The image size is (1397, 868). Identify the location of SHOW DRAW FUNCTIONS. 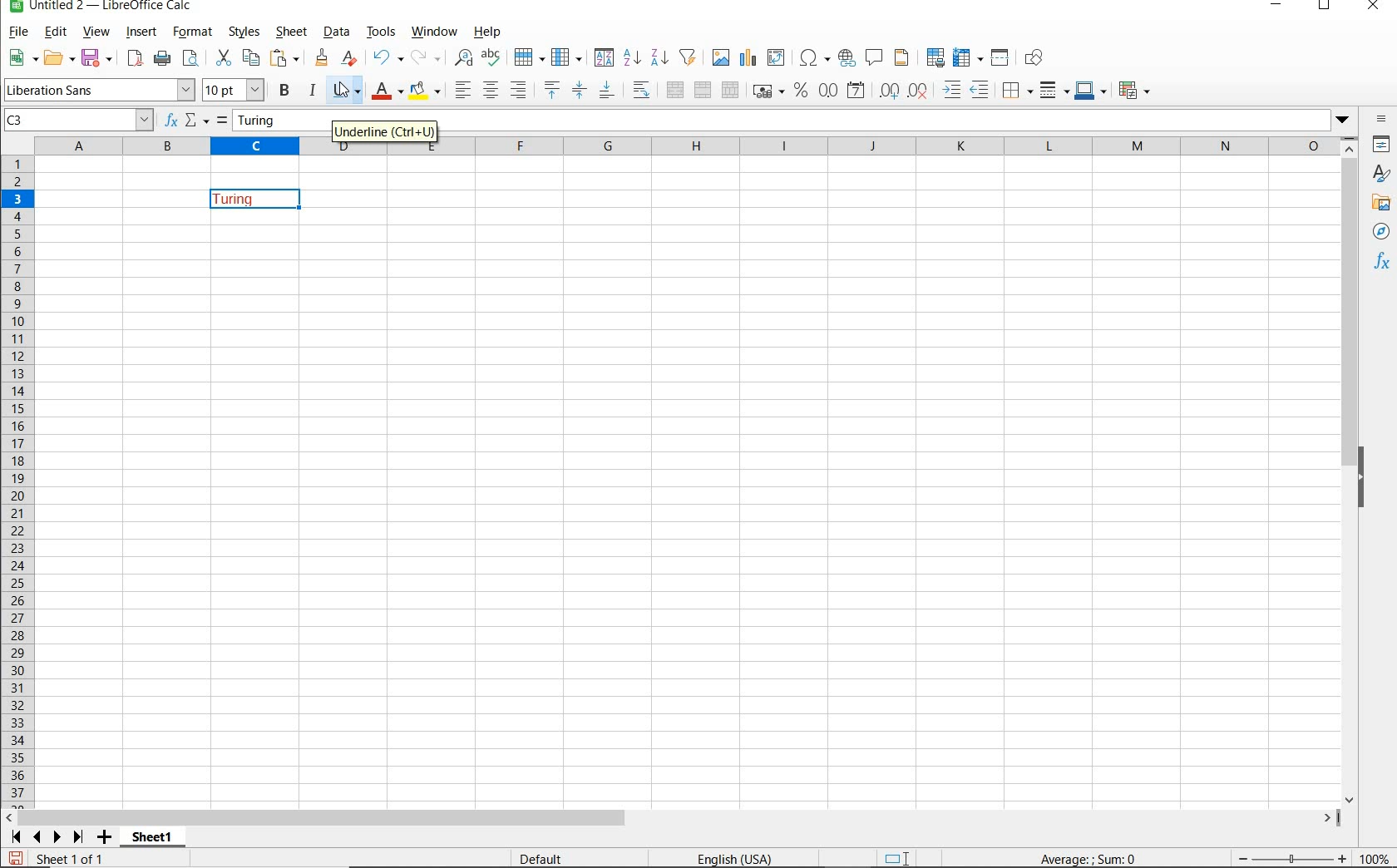
(1033, 58).